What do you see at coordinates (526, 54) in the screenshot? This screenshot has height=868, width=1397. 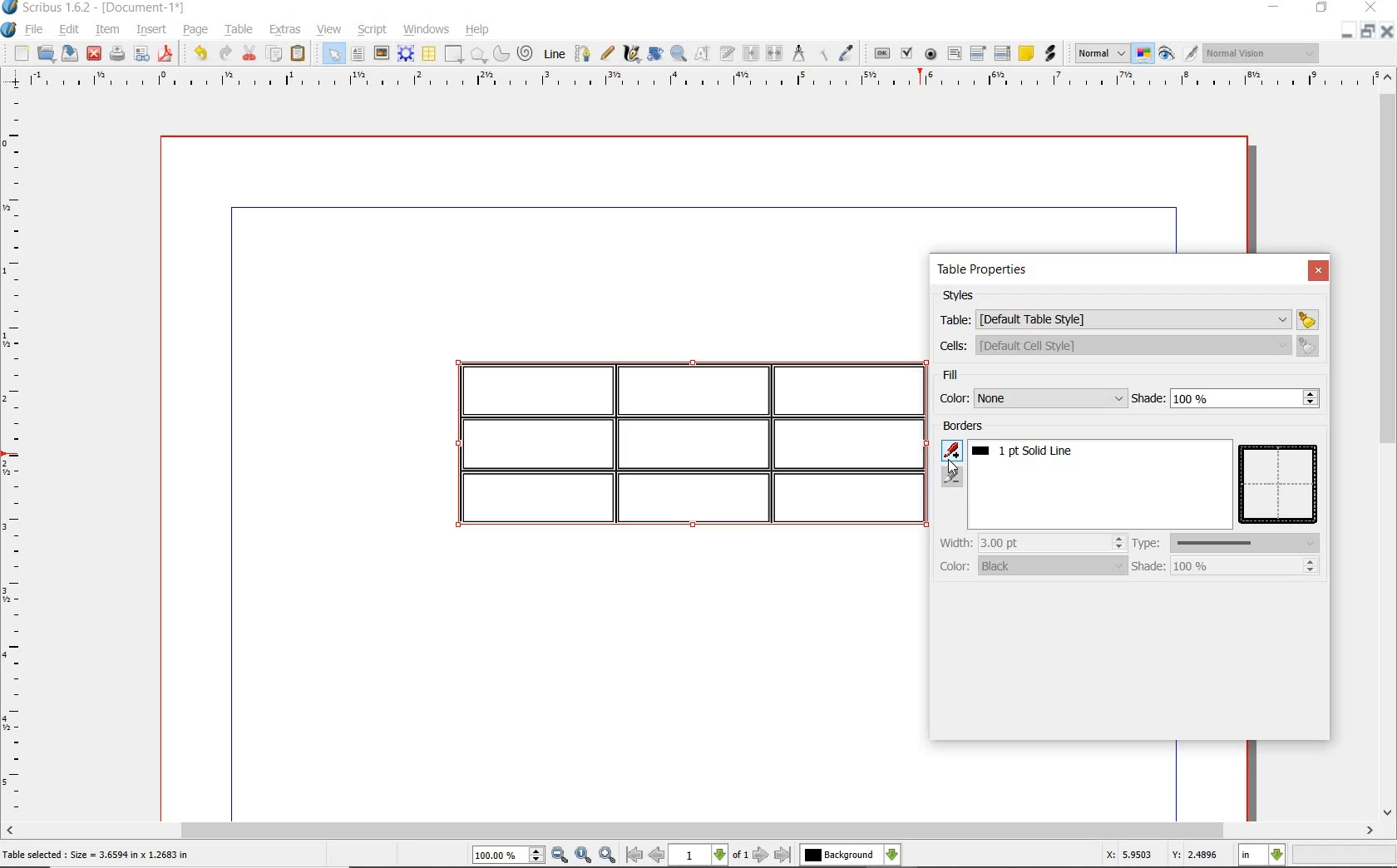 I see `spiral` at bounding box center [526, 54].